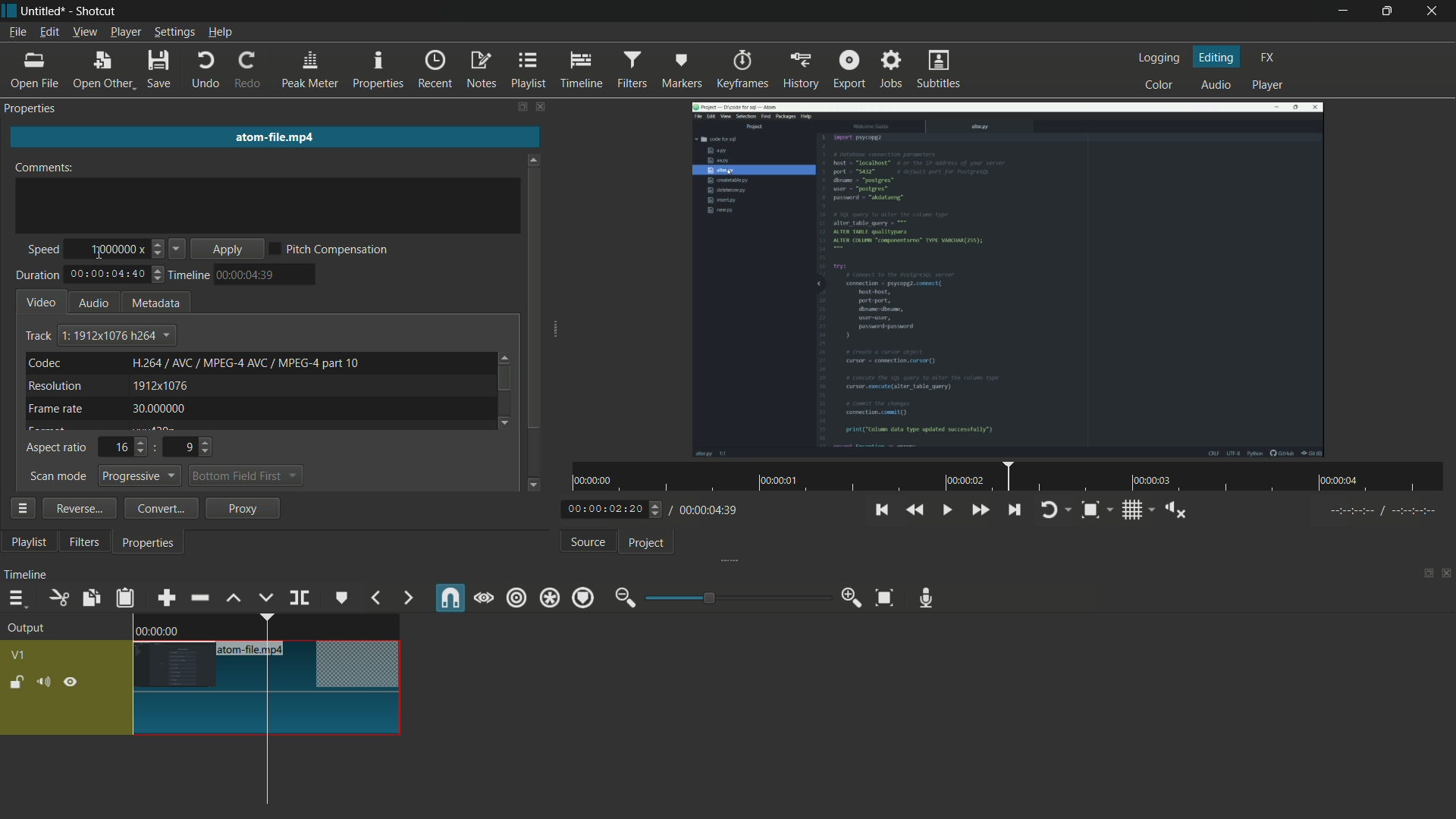  What do you see at coordinates (175, 33) in the screenshot?
I see `settings menu` at bounding box center [175, 33].